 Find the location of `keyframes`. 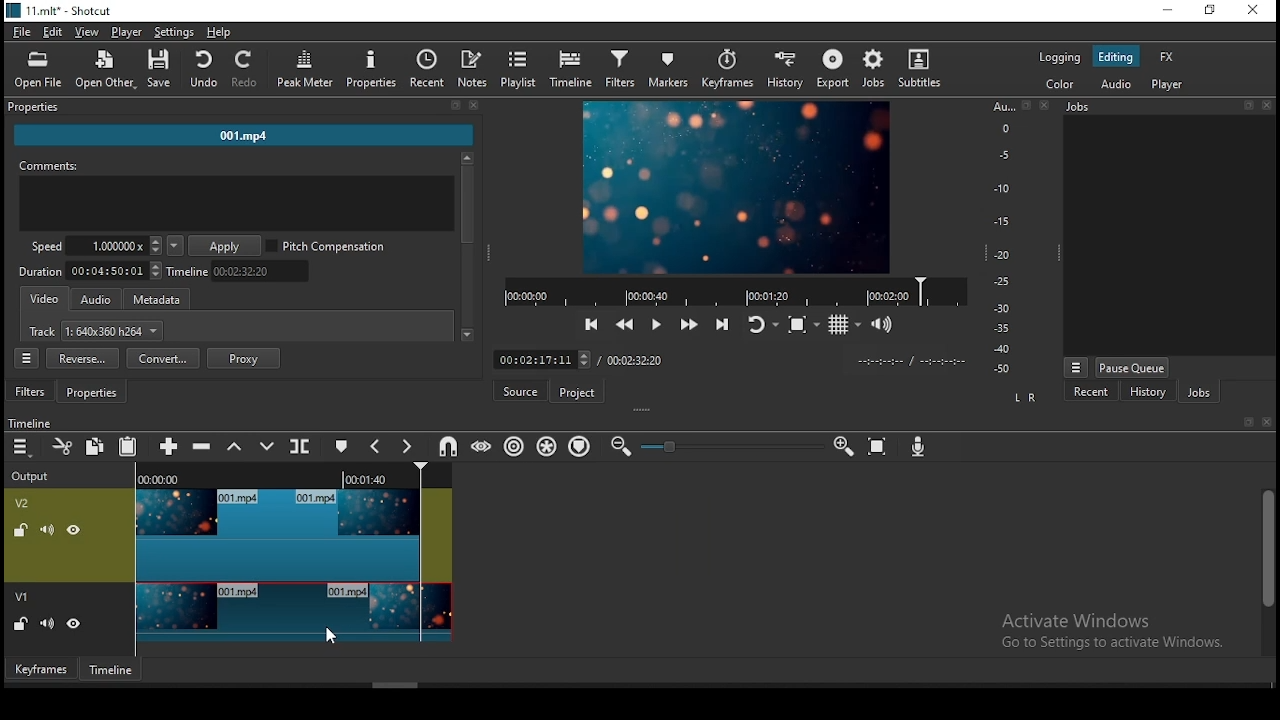

keyframes is located at coordinates (39, 668).